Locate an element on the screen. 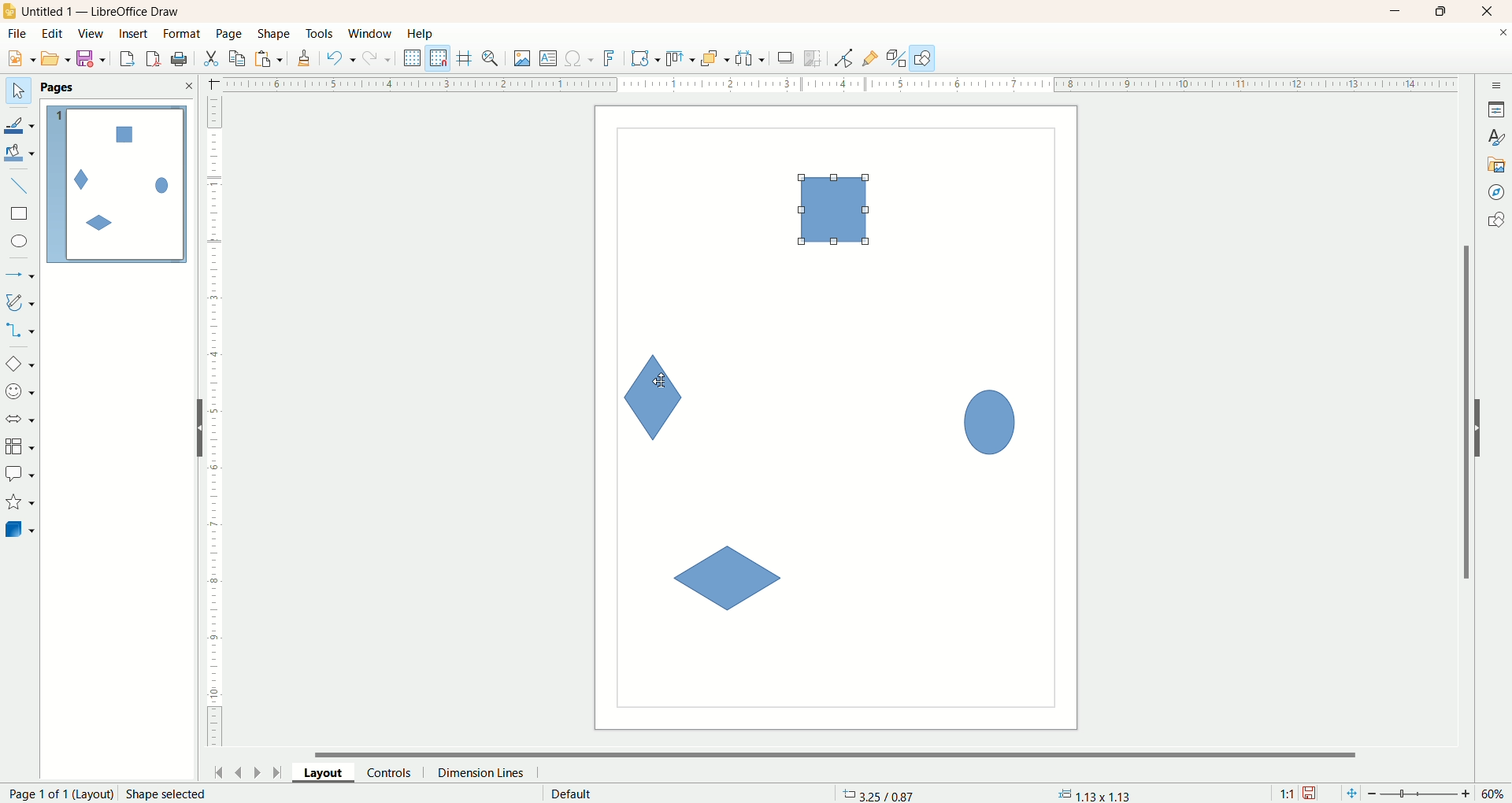  paste is located at coordinates (272, 57).